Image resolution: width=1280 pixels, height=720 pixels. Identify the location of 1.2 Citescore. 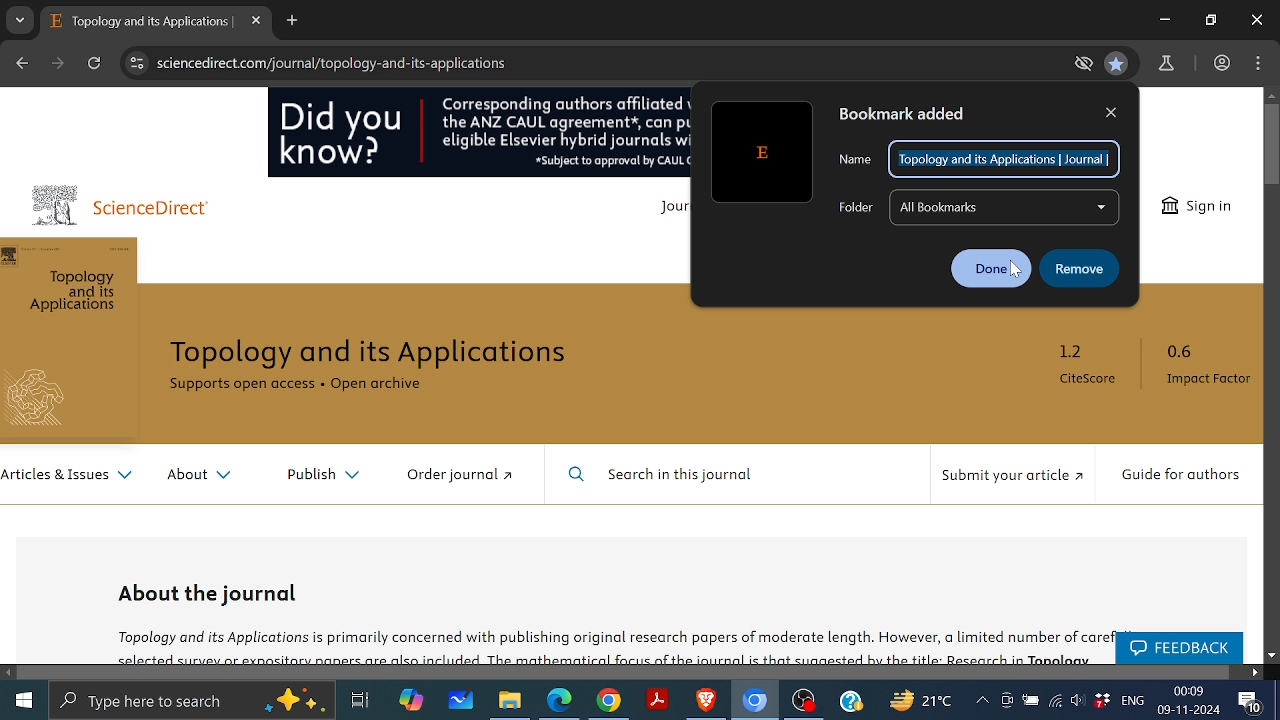
(1091, 369).